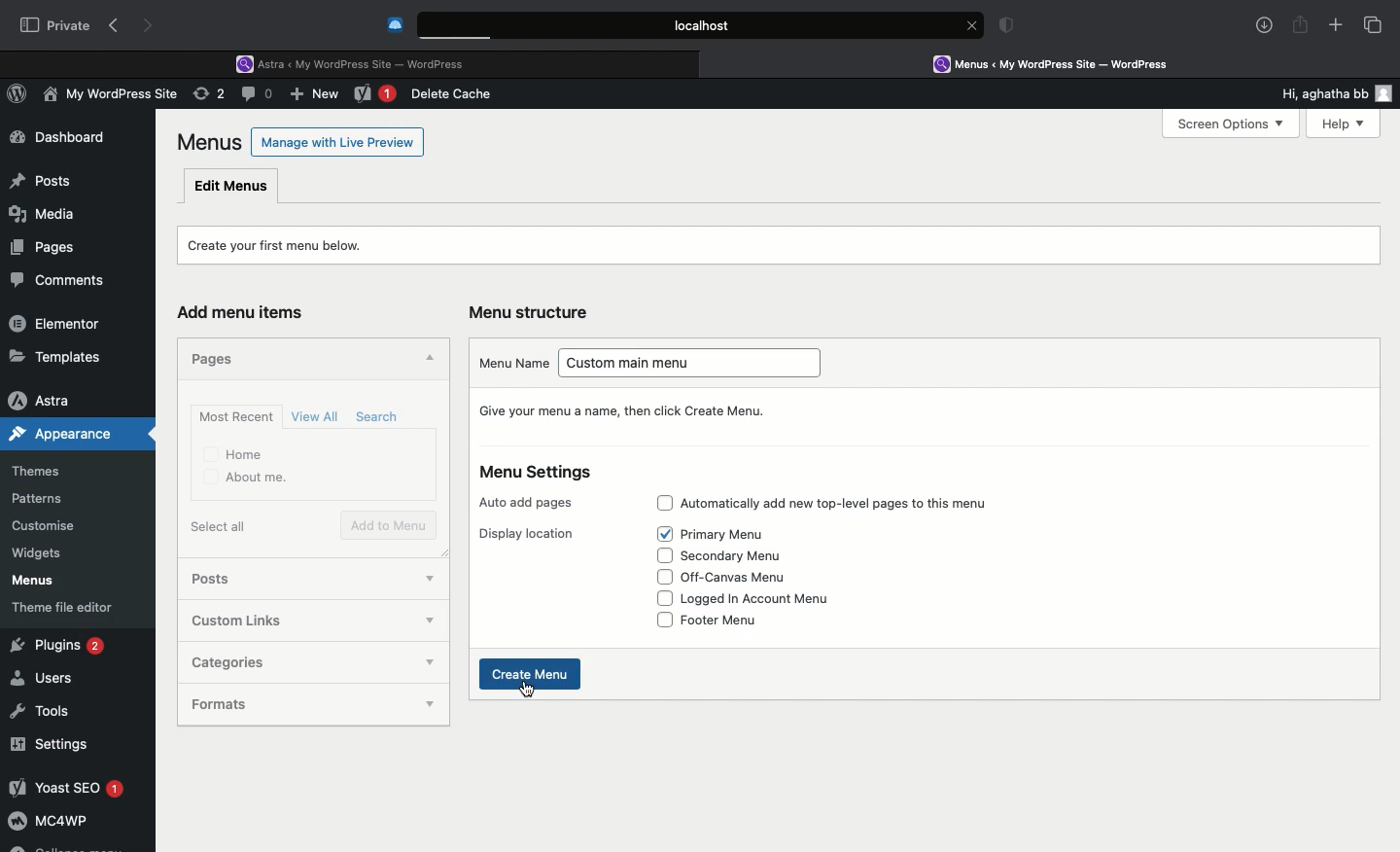 The image size is (1400, 852). I want to click on Menu structure, so click(533, 312).